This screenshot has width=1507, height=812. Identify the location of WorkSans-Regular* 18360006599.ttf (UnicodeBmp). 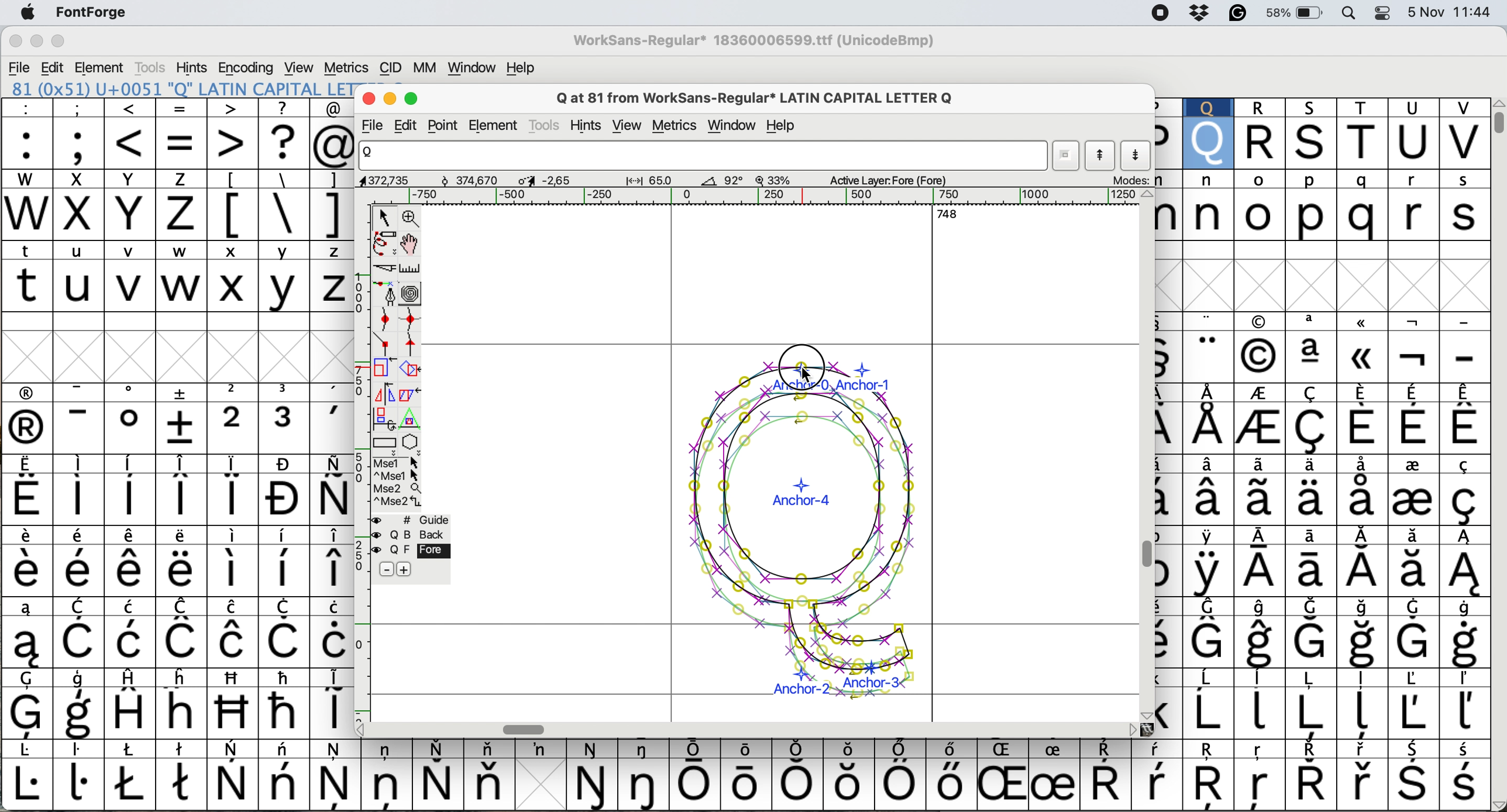
(749, 40).